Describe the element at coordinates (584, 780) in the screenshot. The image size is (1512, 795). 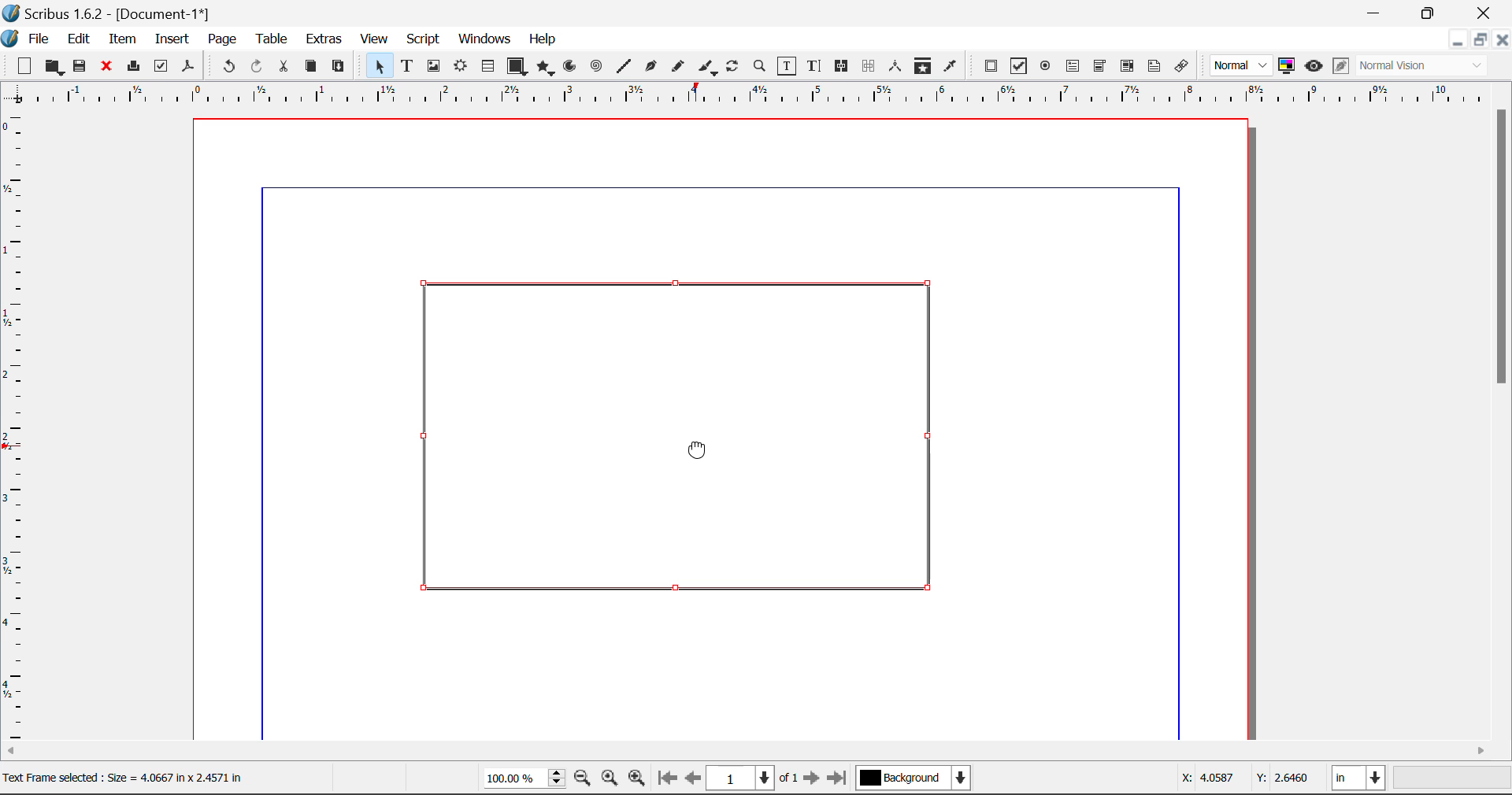
I see `Zoom Out` at that location.